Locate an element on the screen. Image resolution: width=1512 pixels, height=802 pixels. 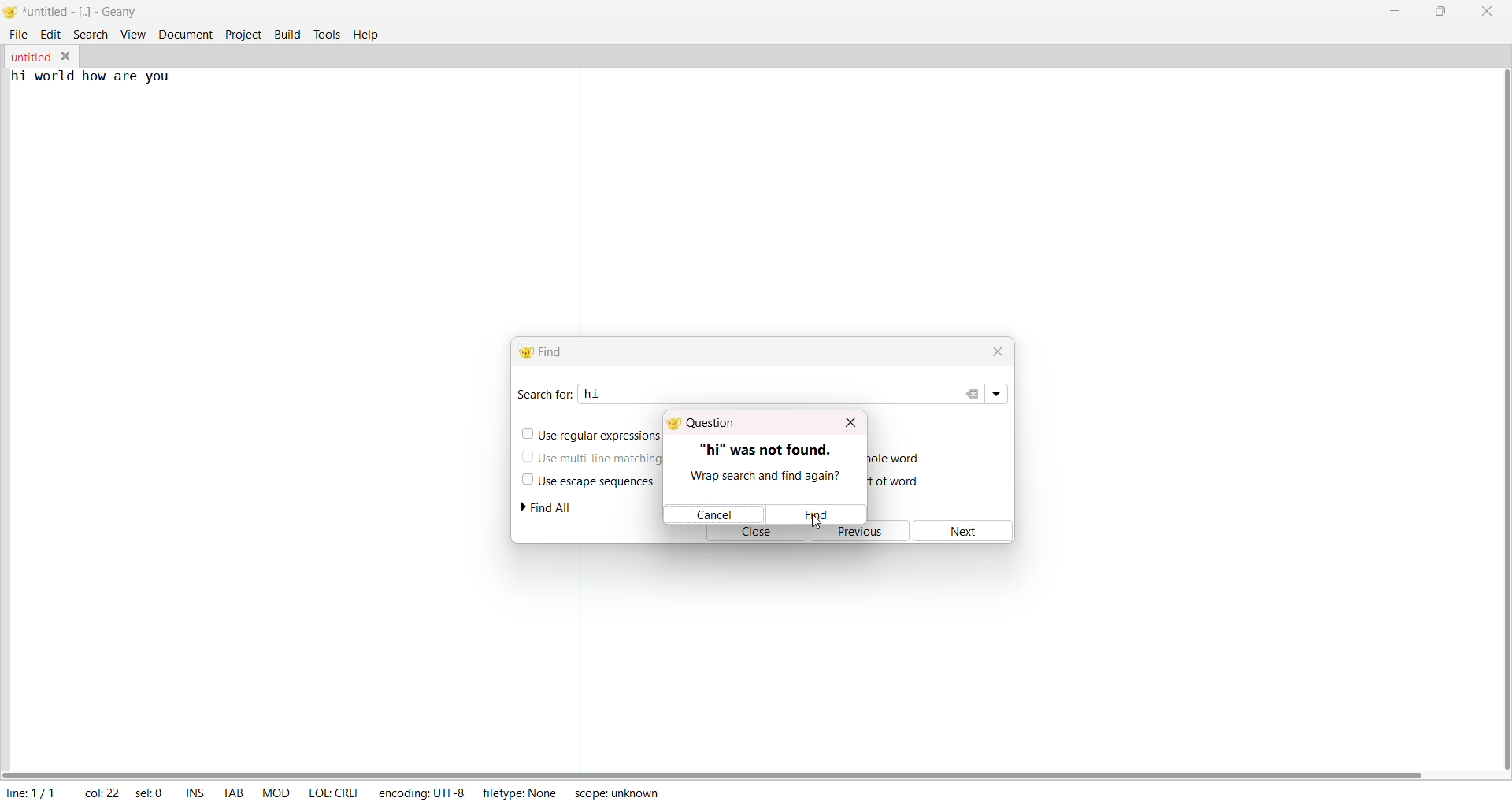
hi world how are you is located at coordinates (93, 77).